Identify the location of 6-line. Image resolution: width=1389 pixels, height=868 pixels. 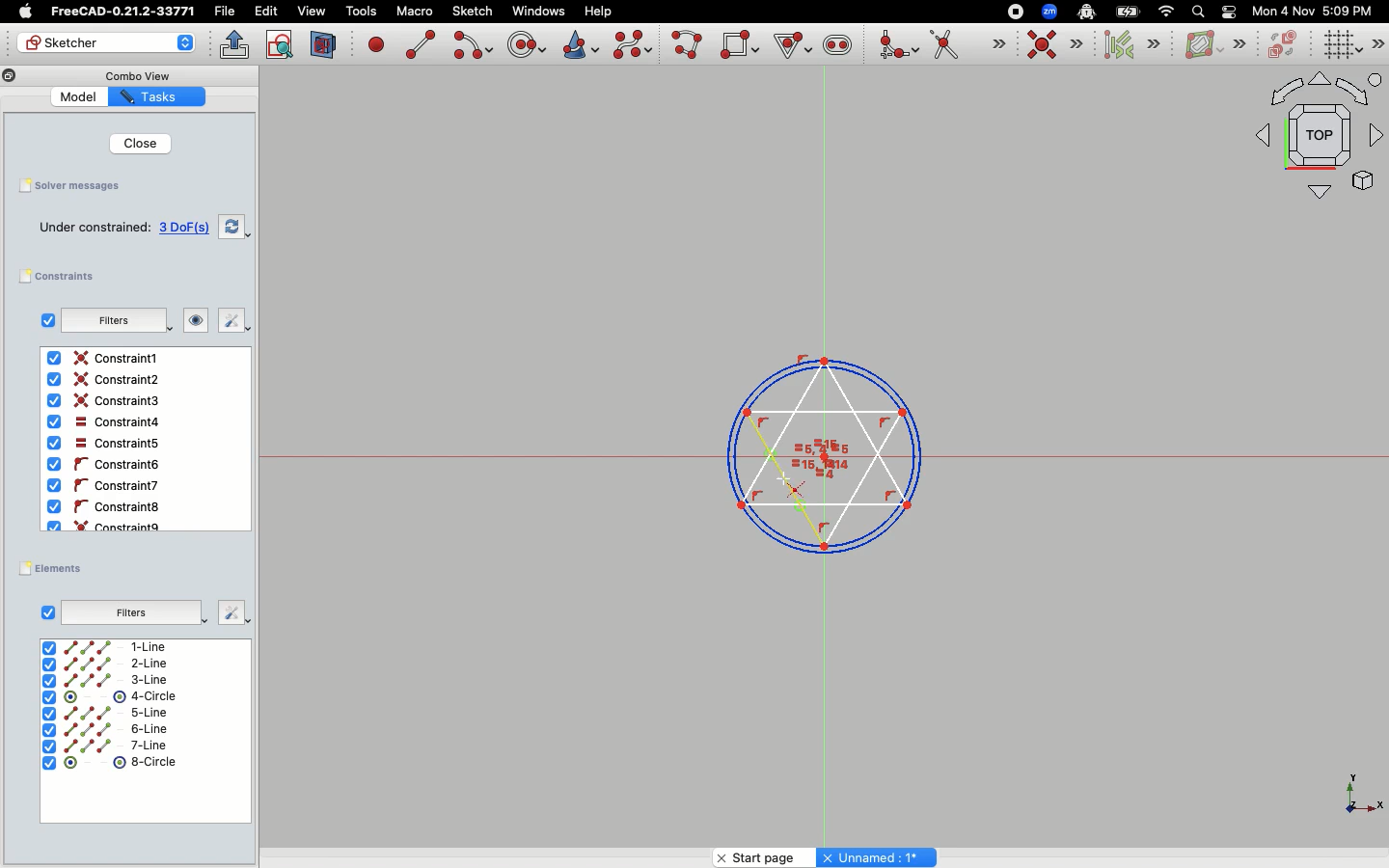
(104, 730).